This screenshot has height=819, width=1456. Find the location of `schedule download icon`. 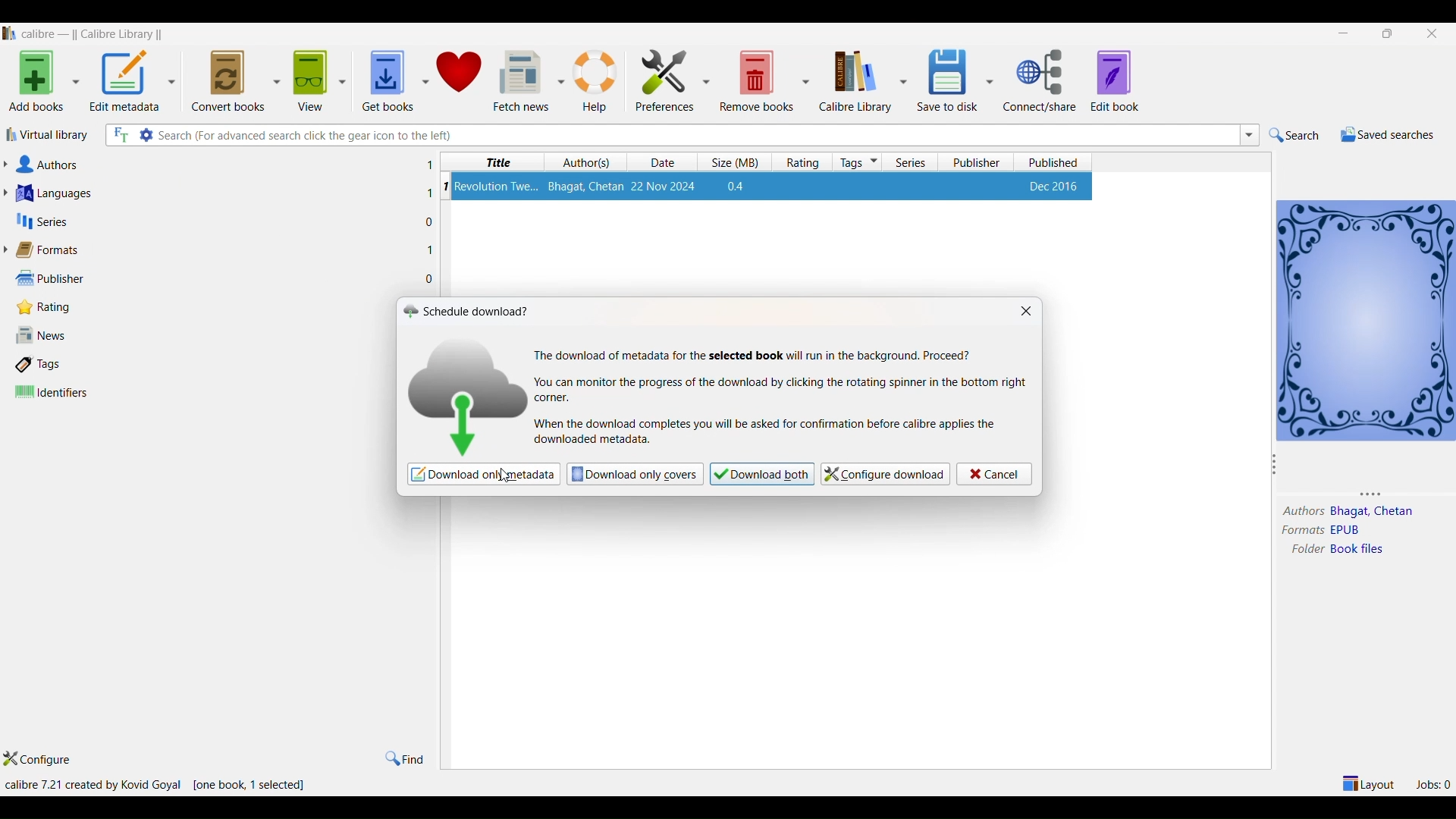

schedule download icon is located at coordinates (475, 311).